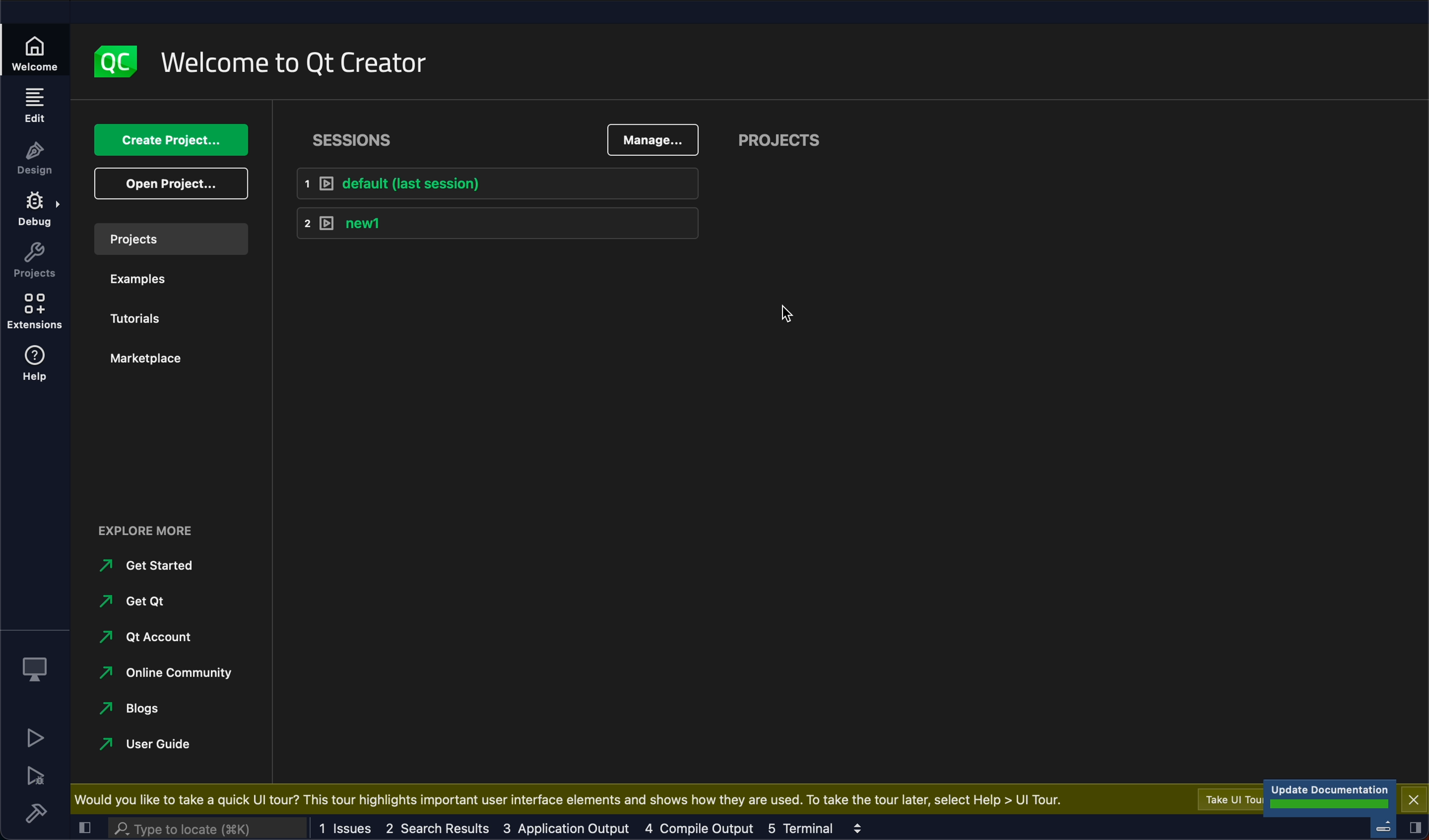 The height and width of the screenshot is (840, 1429). What do you see at coordinates (34, 665) in the screenshot?
I see `kit selector` at bounding box center [34, 665].